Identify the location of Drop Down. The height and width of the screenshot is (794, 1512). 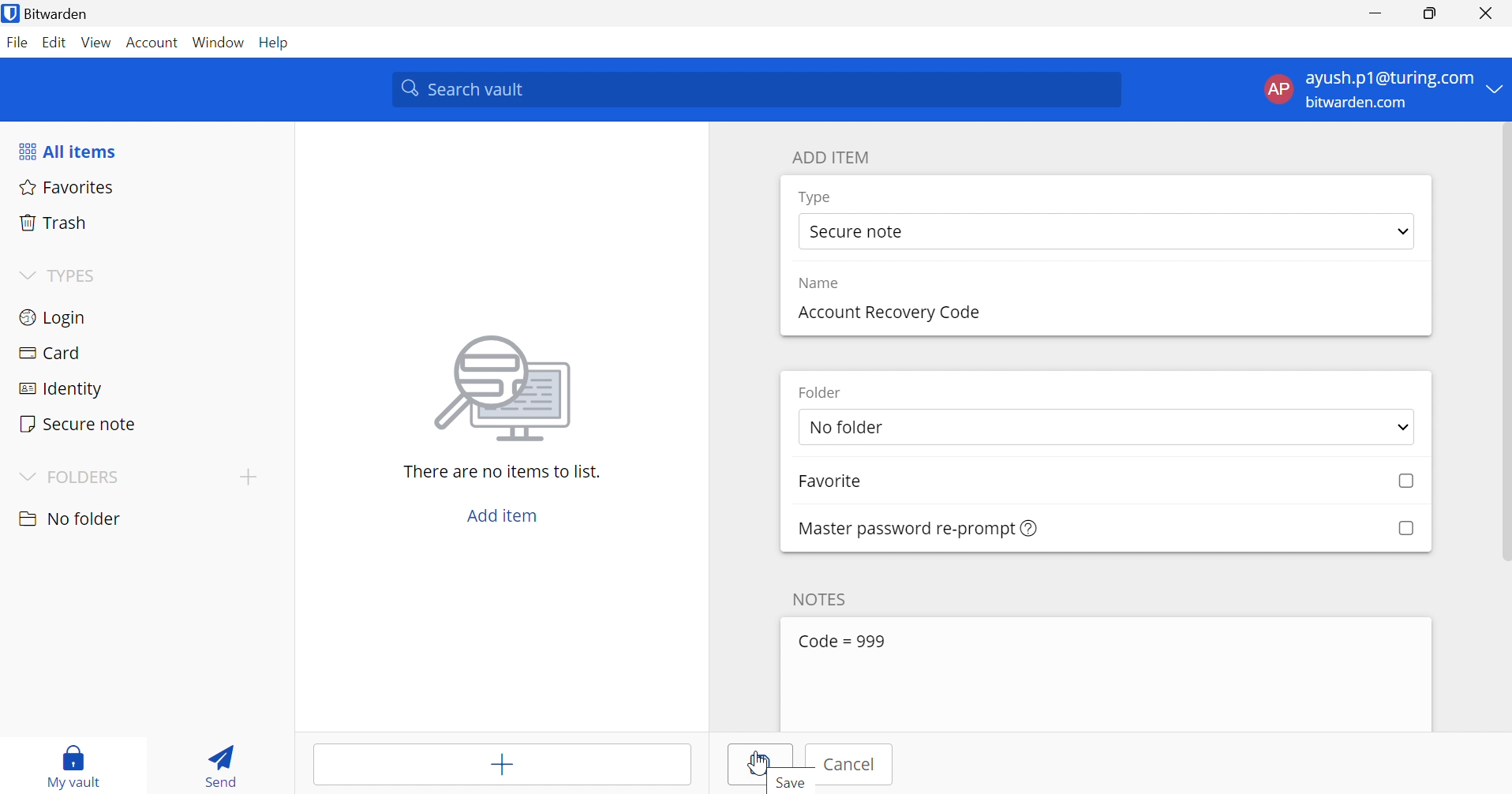
(1403, 233).